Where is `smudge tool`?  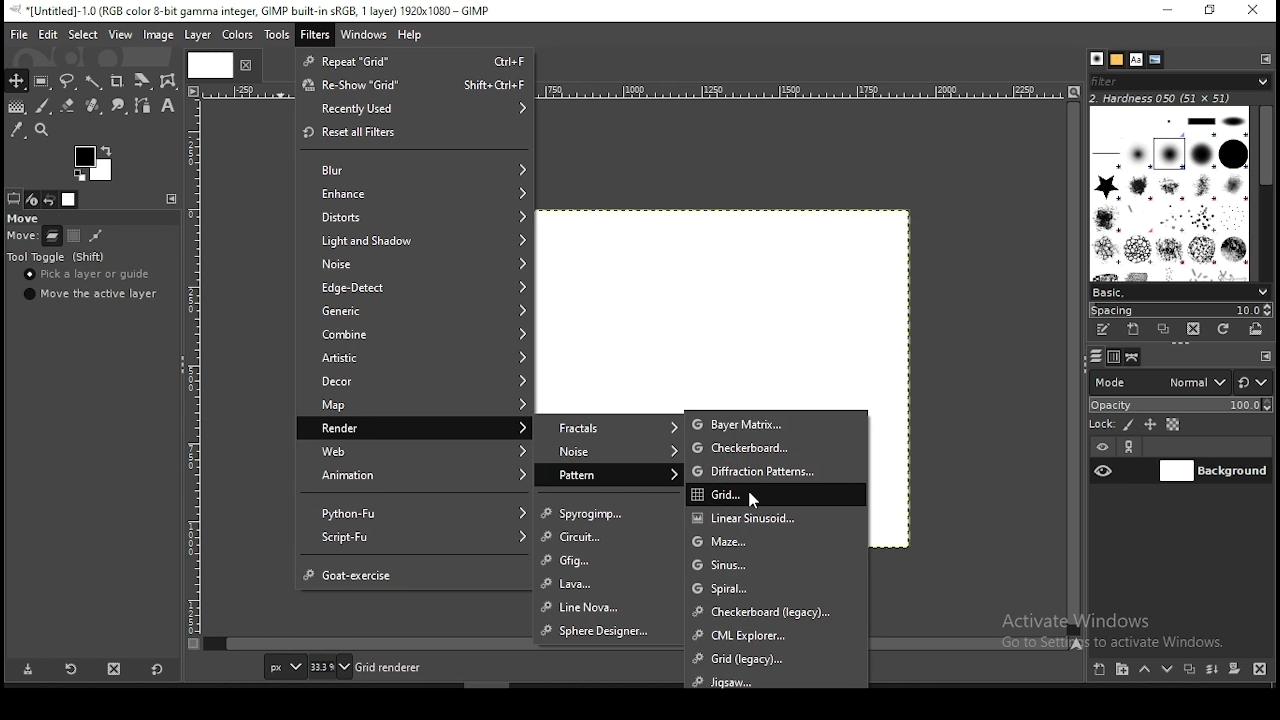
smudge tool is located at coordinates (121, 107).